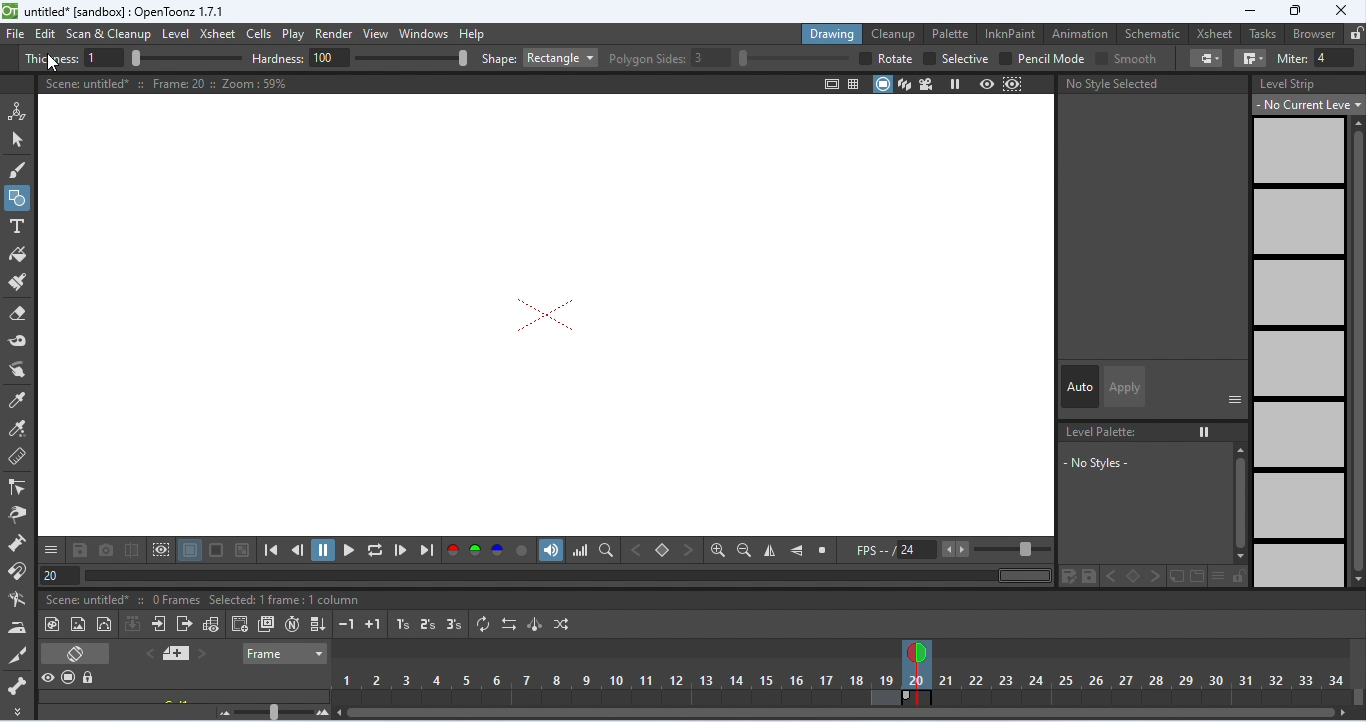 This screenshot has height=722, width=1366. What do you see at coordinates (16, 337) in the screenshot?
I see `tape` at bounding box center [16, 337].